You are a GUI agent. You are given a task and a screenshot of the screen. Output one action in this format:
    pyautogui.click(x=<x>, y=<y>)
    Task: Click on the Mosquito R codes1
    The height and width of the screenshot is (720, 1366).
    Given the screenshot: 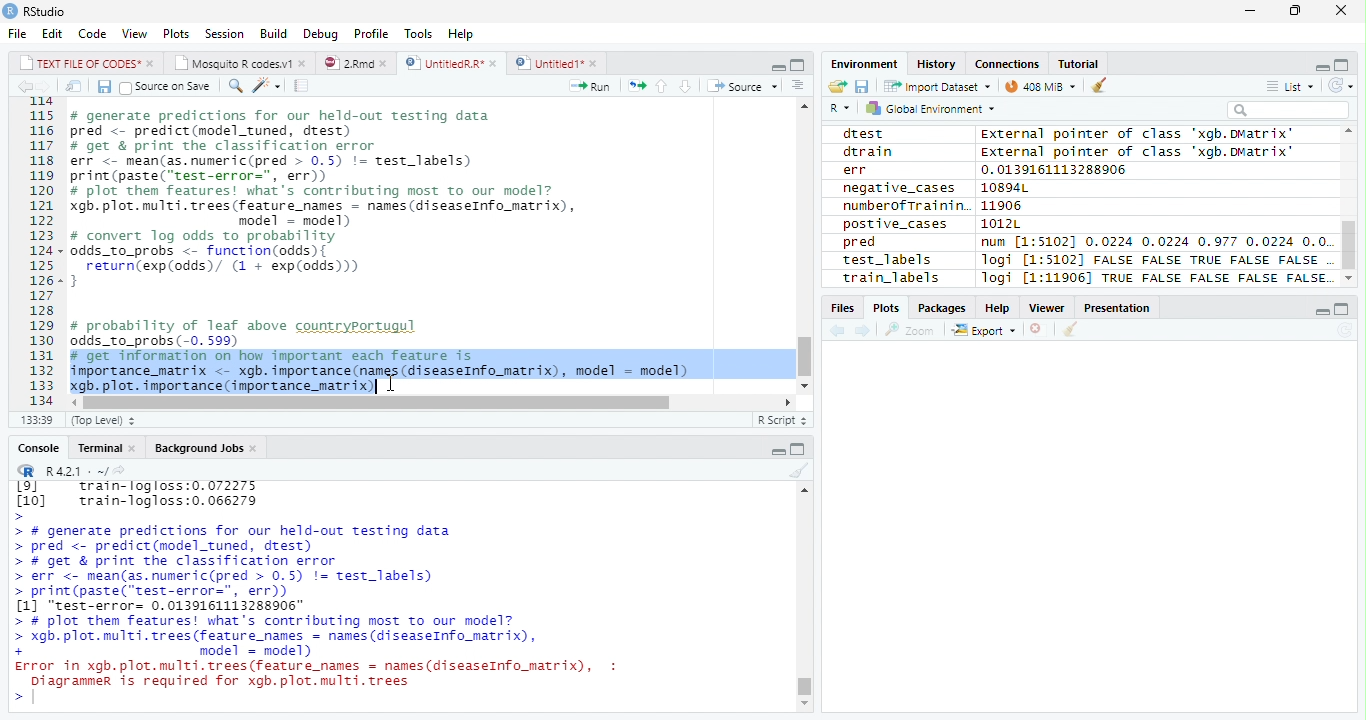 What is the action you would take?
    pyautogui.click(x=241, y=63)
    